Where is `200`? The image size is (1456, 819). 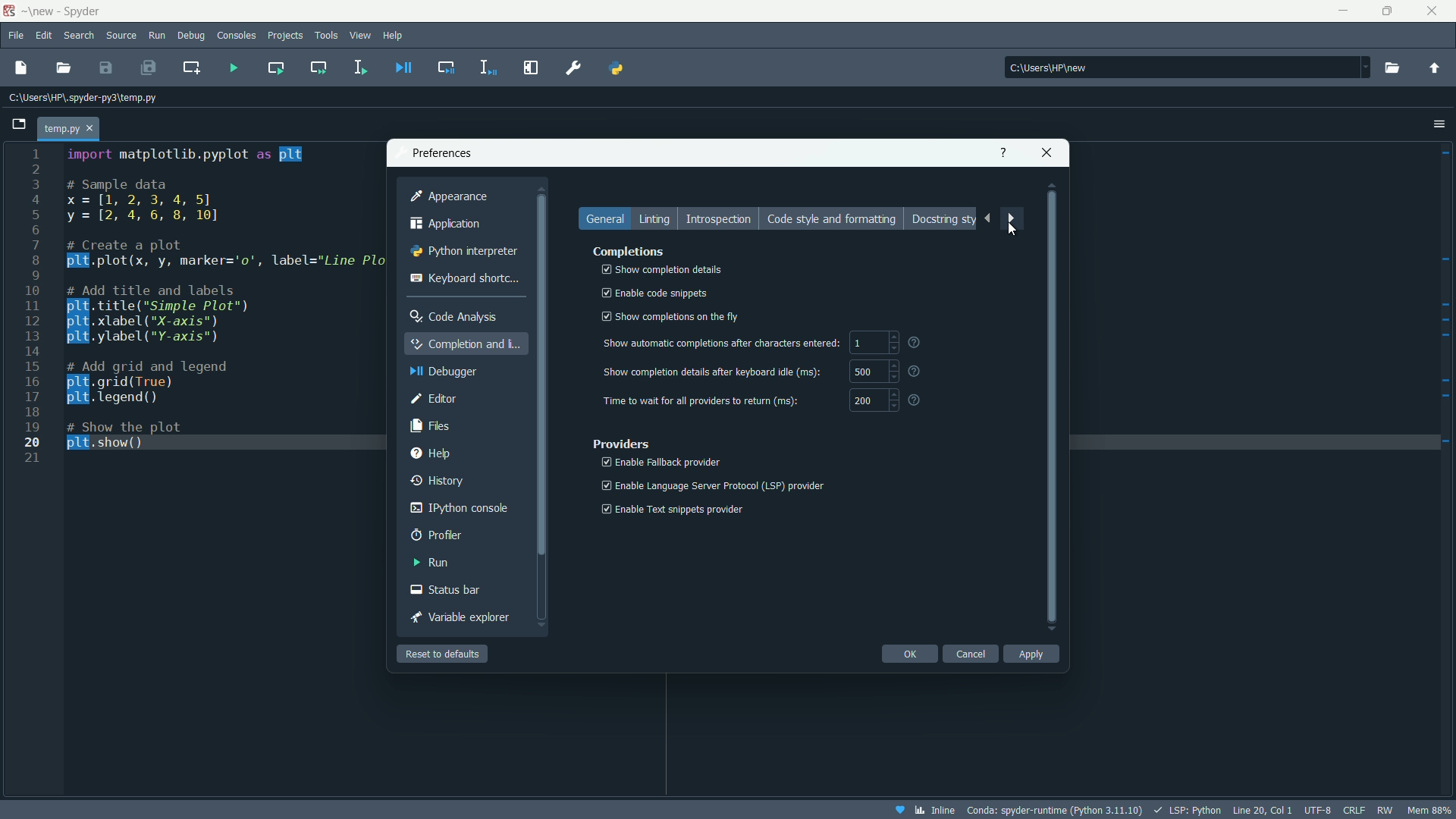 200 is located at coordinates (864, 402).